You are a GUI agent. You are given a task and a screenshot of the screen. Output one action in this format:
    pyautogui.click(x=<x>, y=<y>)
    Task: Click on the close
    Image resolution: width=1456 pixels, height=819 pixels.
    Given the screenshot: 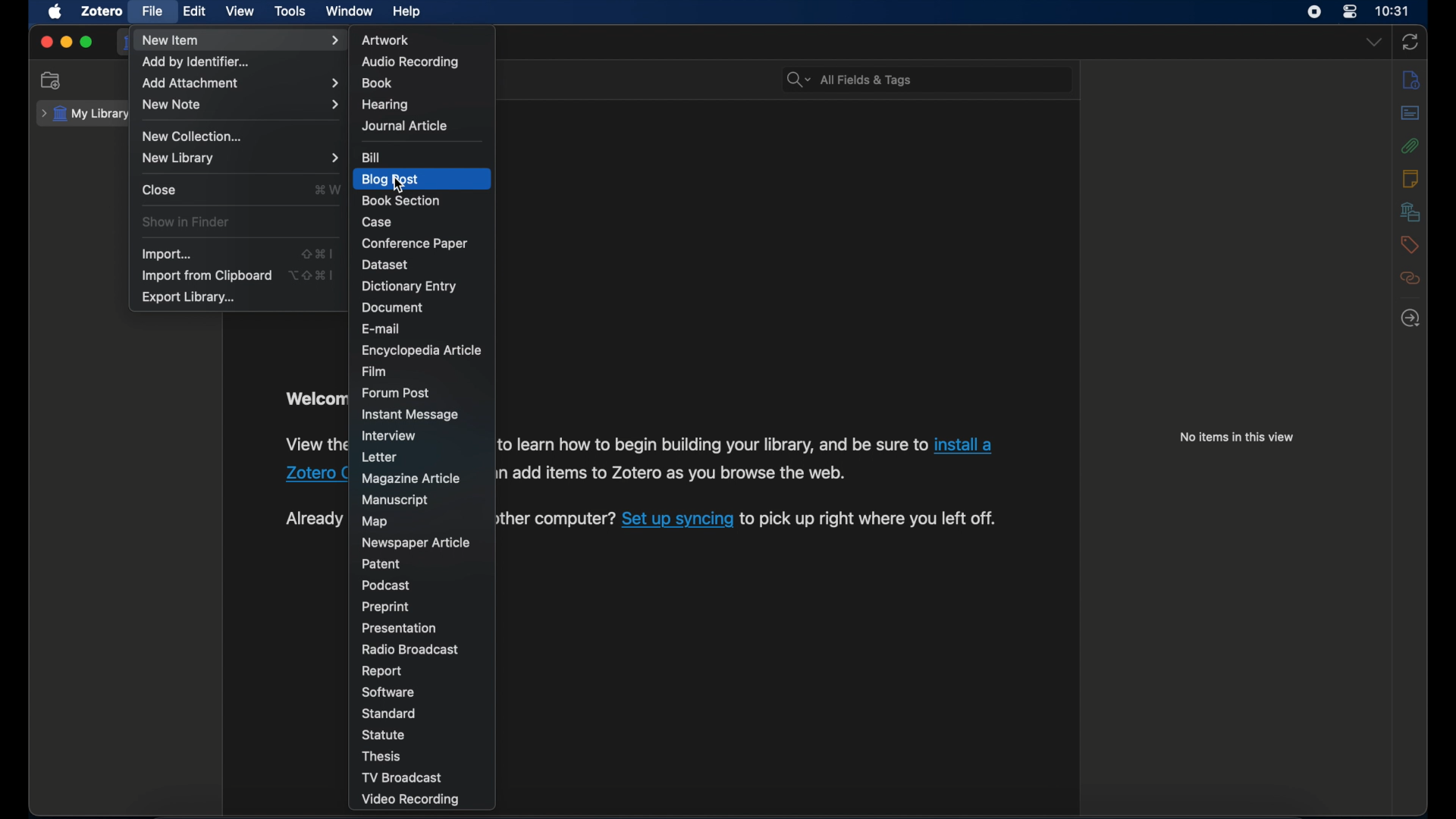 What is the action you would take?
    pyautogui.click(x=45, y=42)
    